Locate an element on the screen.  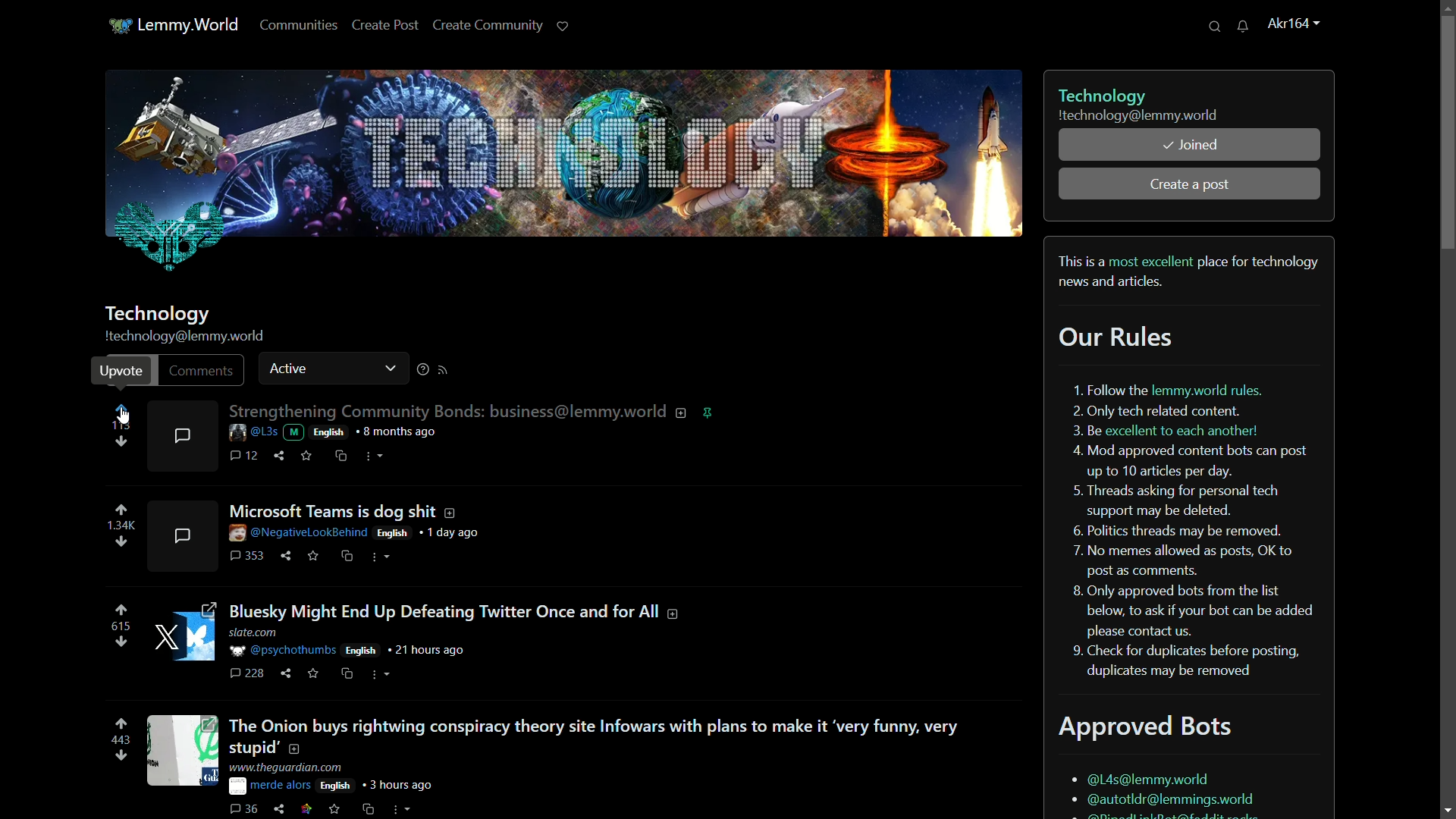
number of votes is located at coordinates (122, 626).